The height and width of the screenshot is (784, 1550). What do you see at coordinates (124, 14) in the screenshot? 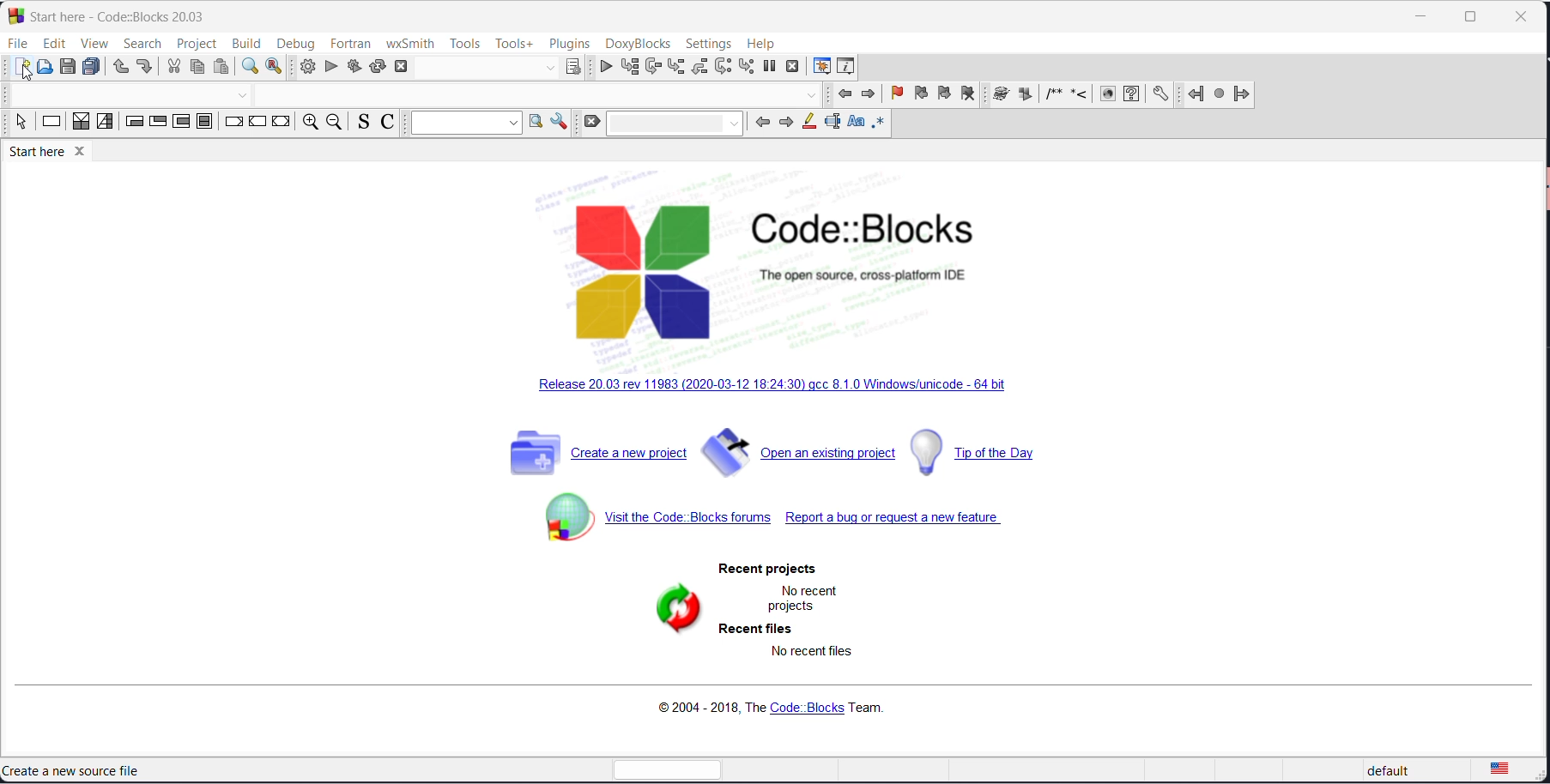
I see `Start here` at bounding box center [124, 14].